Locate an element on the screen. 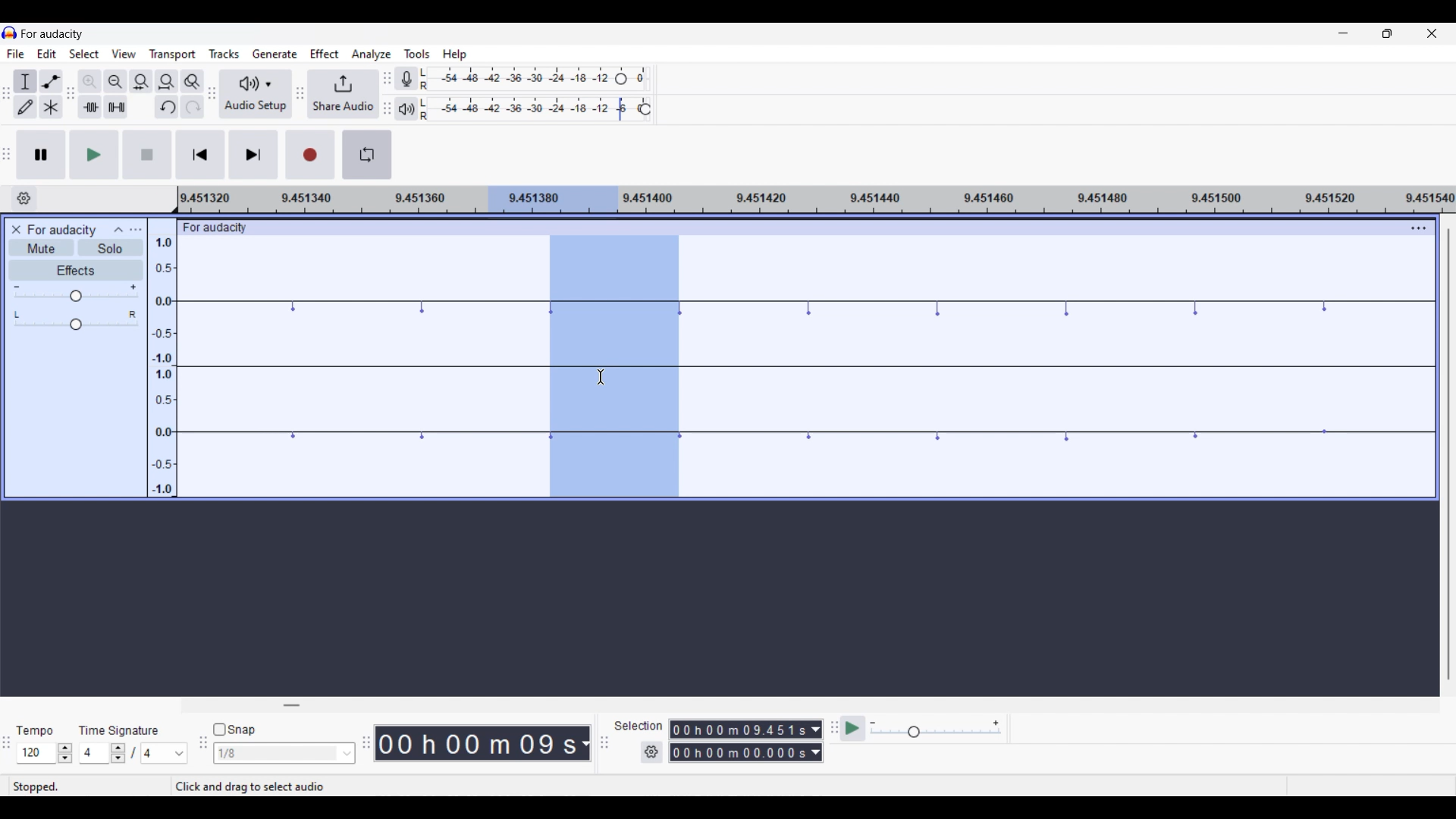 The height and width of the screenshot is (819, 1456). Pause is located at coordinates (41, 155).